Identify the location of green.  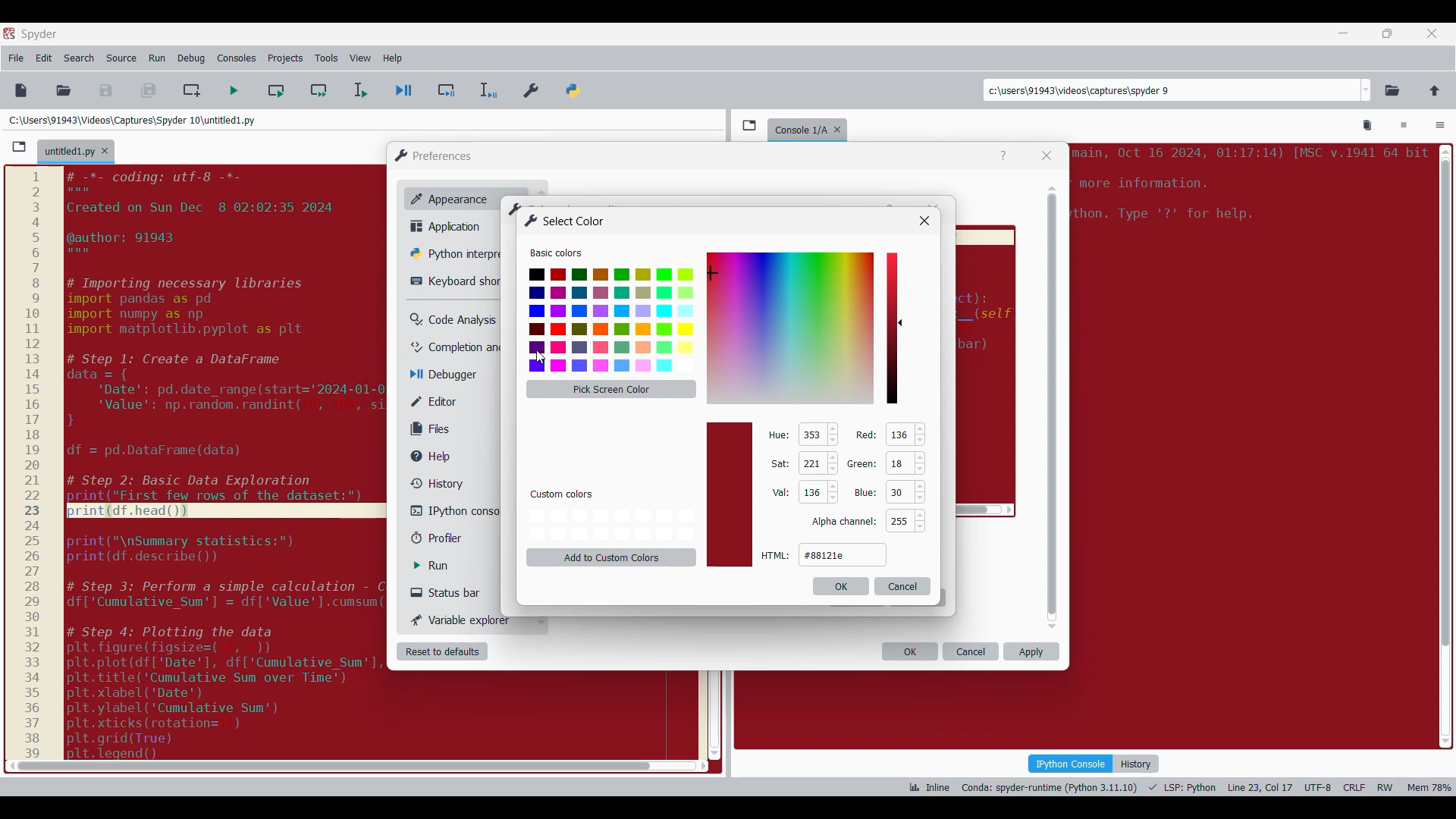
(863, 463).